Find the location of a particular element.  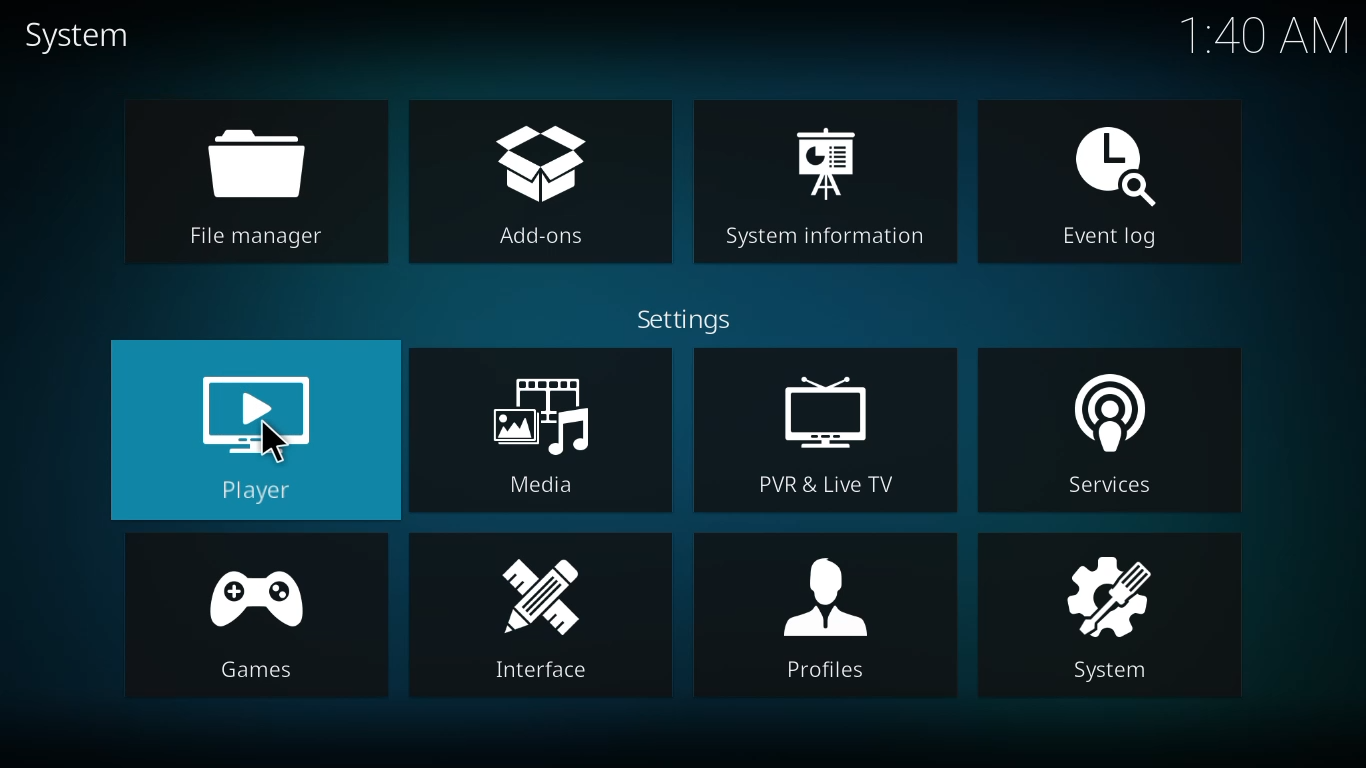

cursor is located at coordinates (276, 442).